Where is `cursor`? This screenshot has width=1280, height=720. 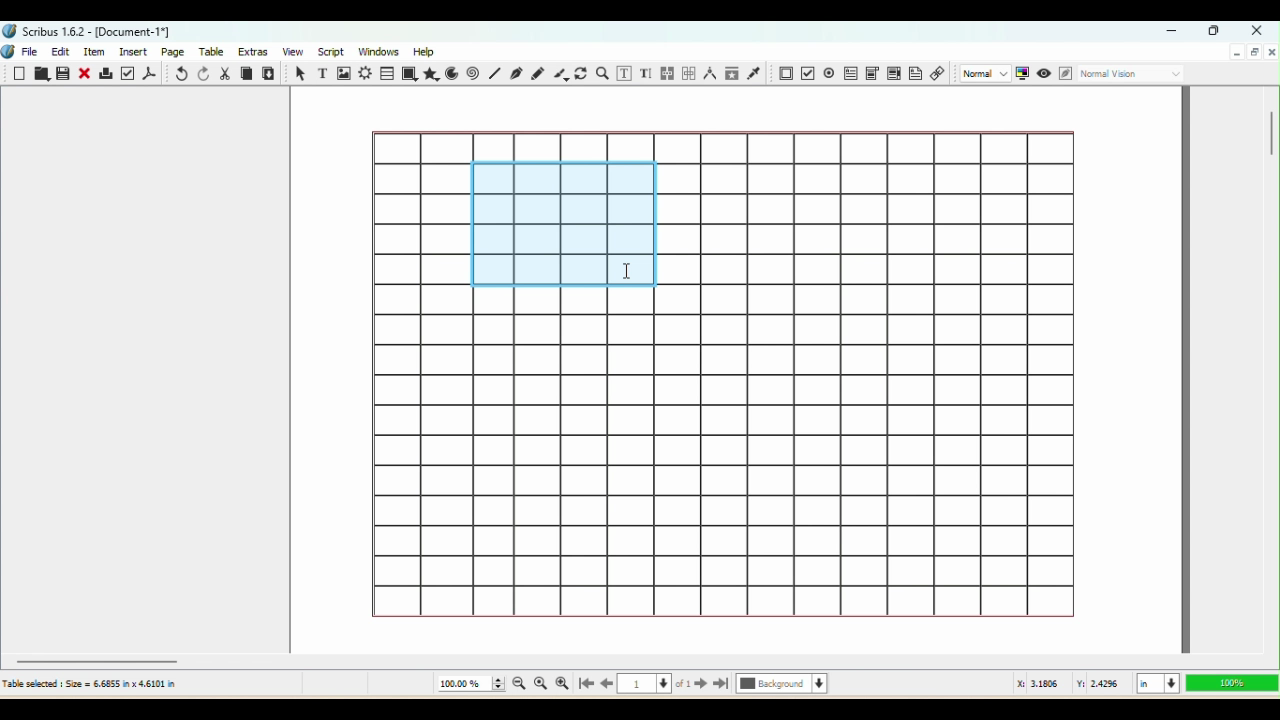 cursor is located at coordinates (625, 268).